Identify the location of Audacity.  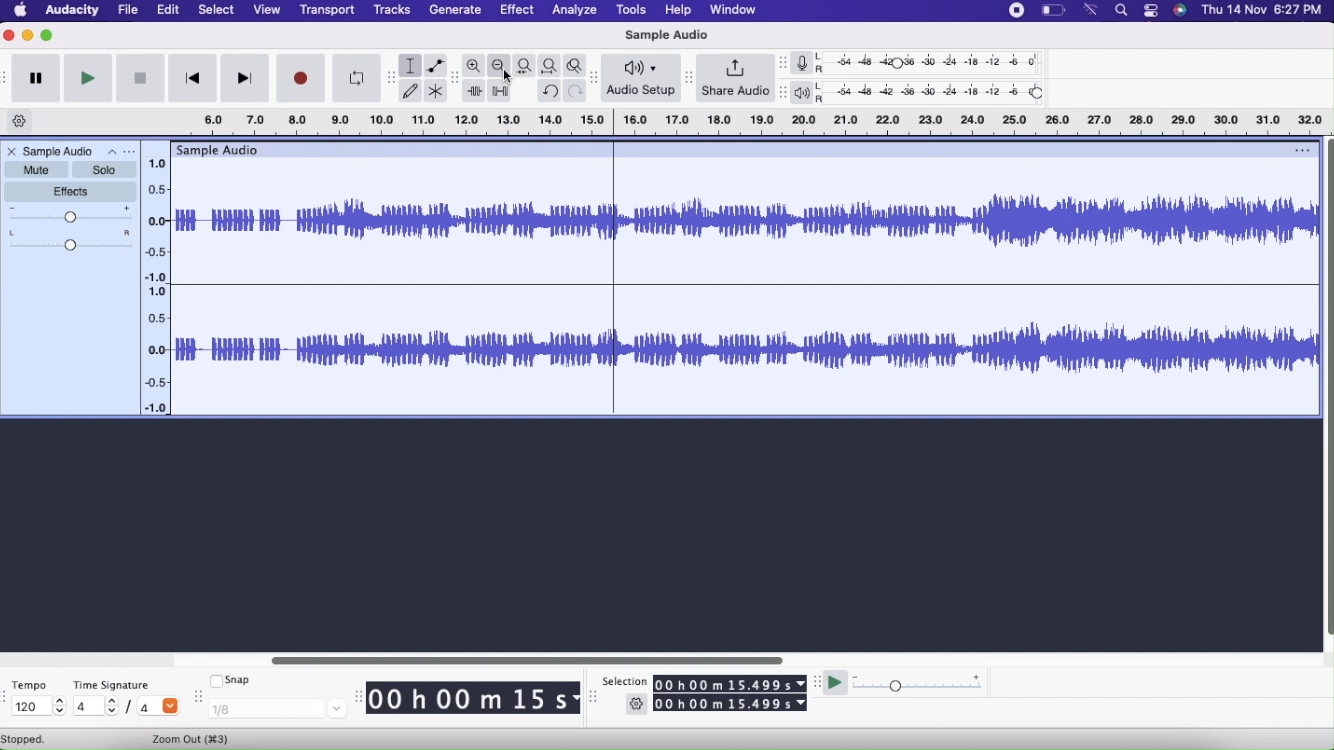
(75, 10).